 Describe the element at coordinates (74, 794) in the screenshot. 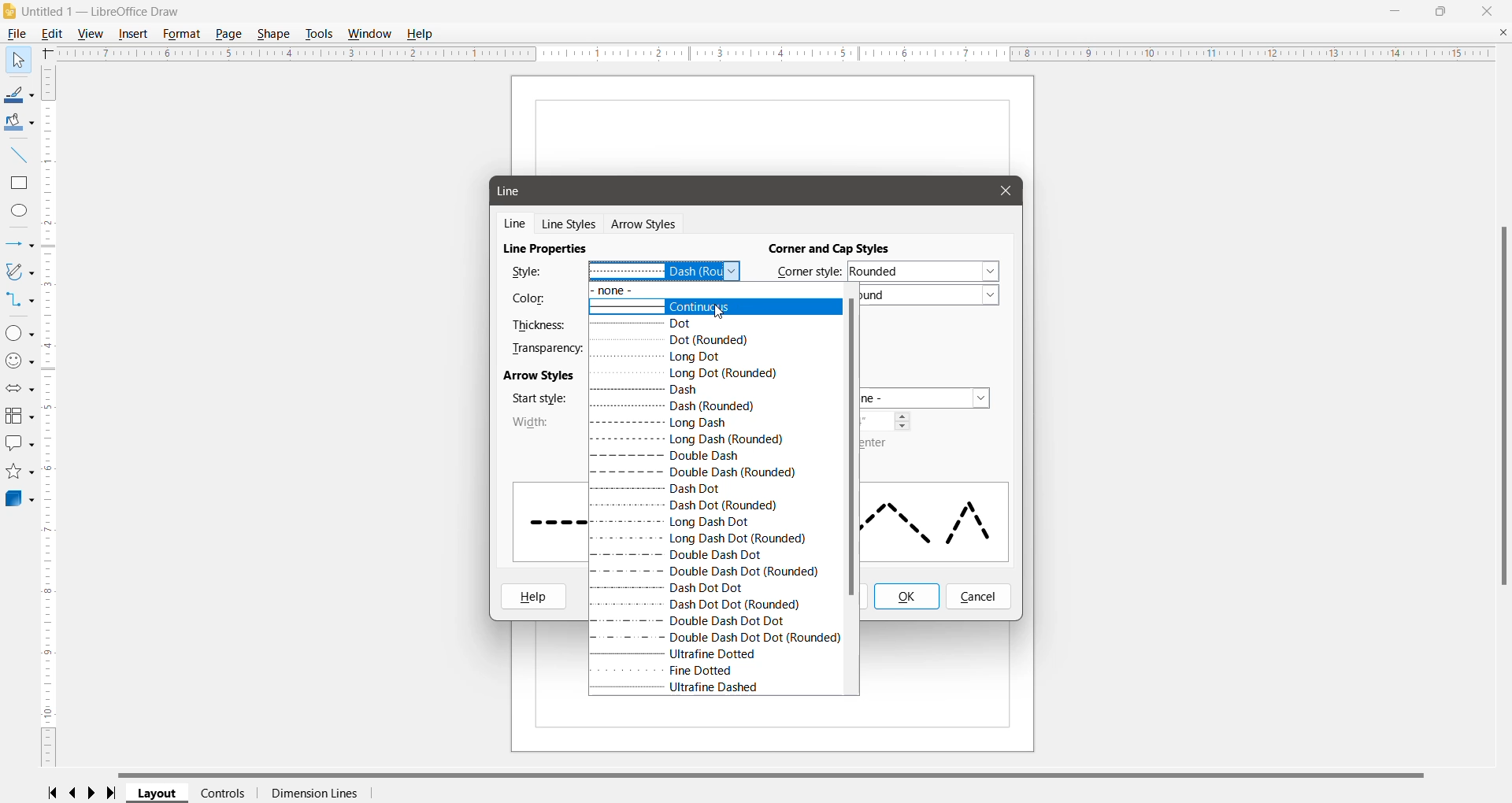

I see `Scroll to previous page` at that location.